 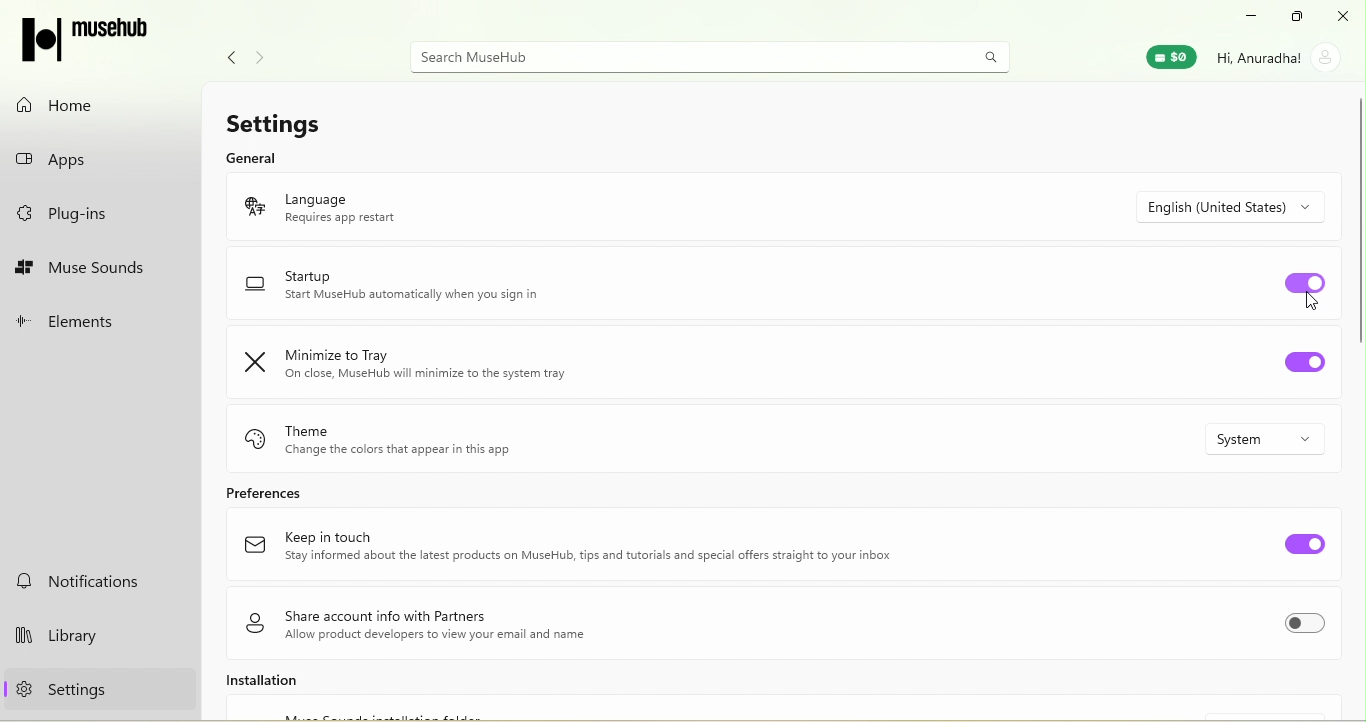 I want to click on maximize, so click(x=1298, y=15).